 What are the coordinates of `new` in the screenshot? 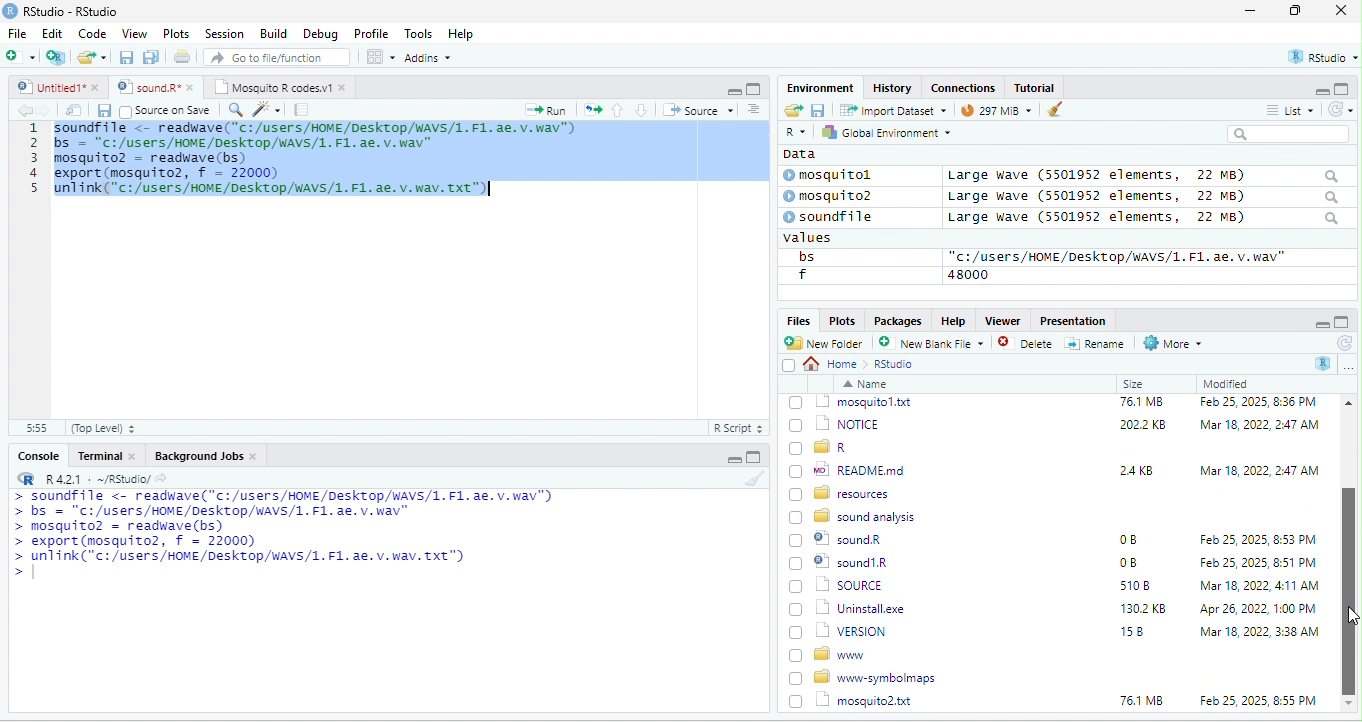 It's located at (20, 55).